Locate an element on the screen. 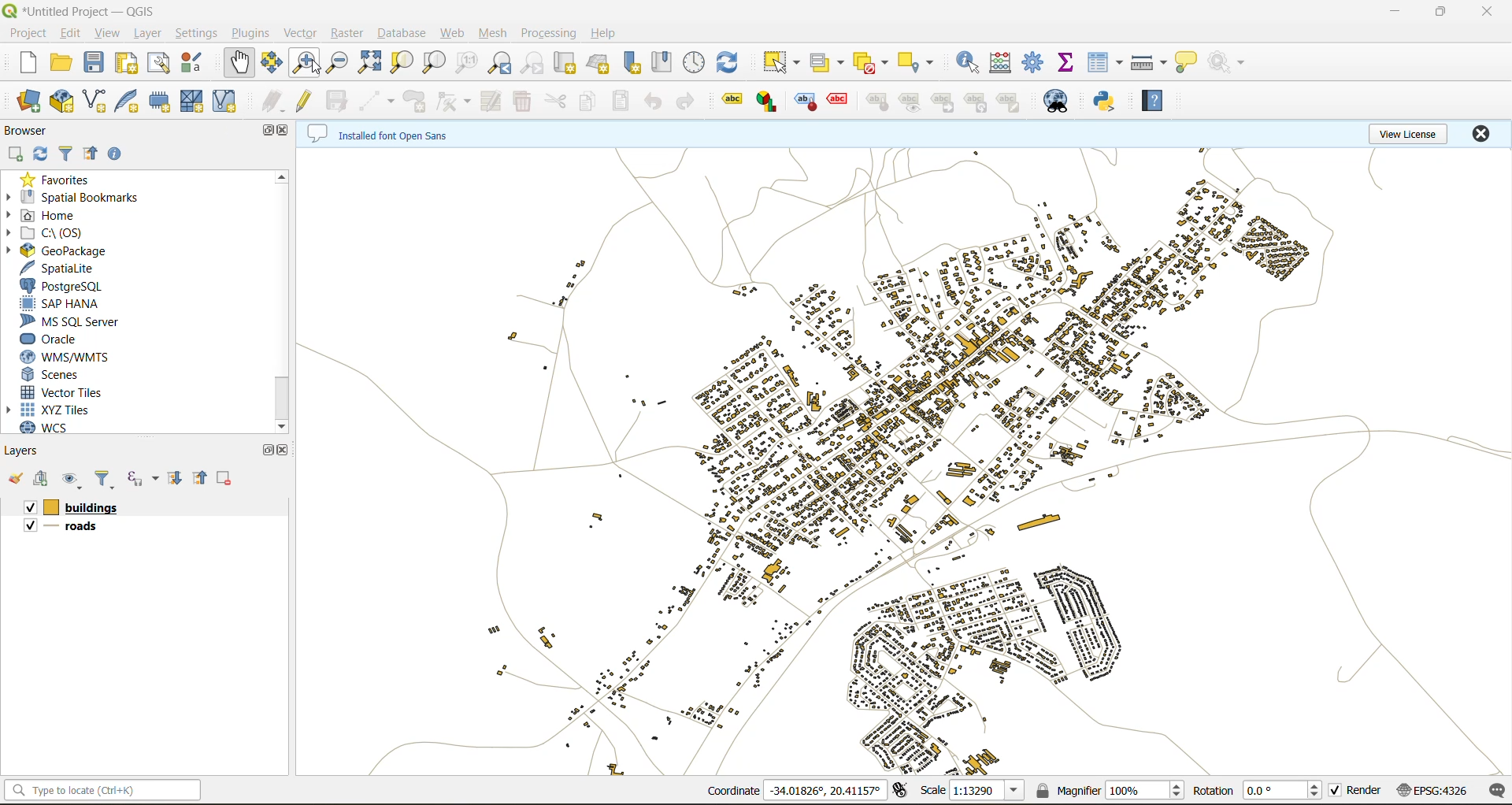 The image size is (1512, 805).  is located at coordinates (81, 526).